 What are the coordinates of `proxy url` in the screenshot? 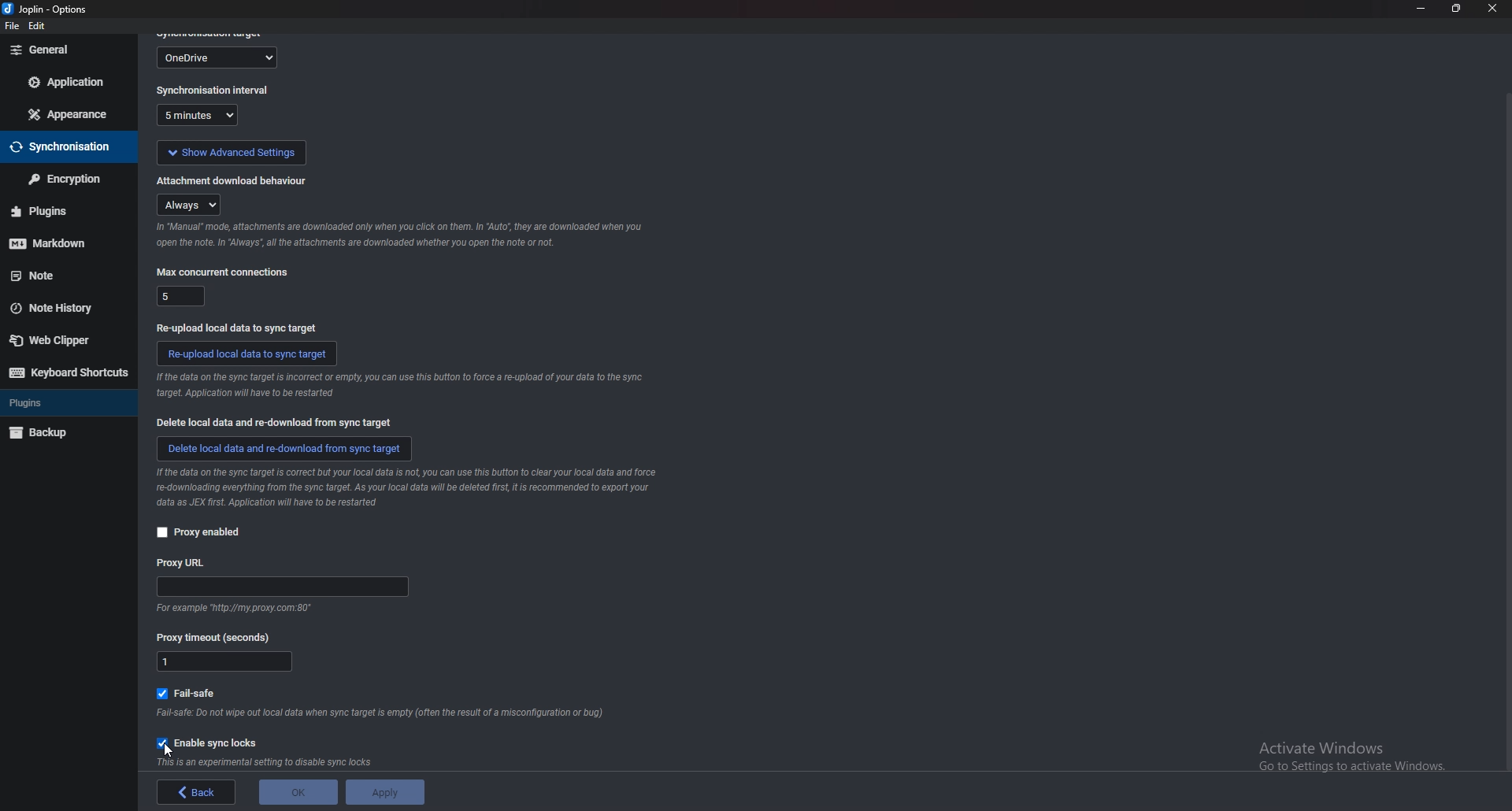 It's located at (283, 588).